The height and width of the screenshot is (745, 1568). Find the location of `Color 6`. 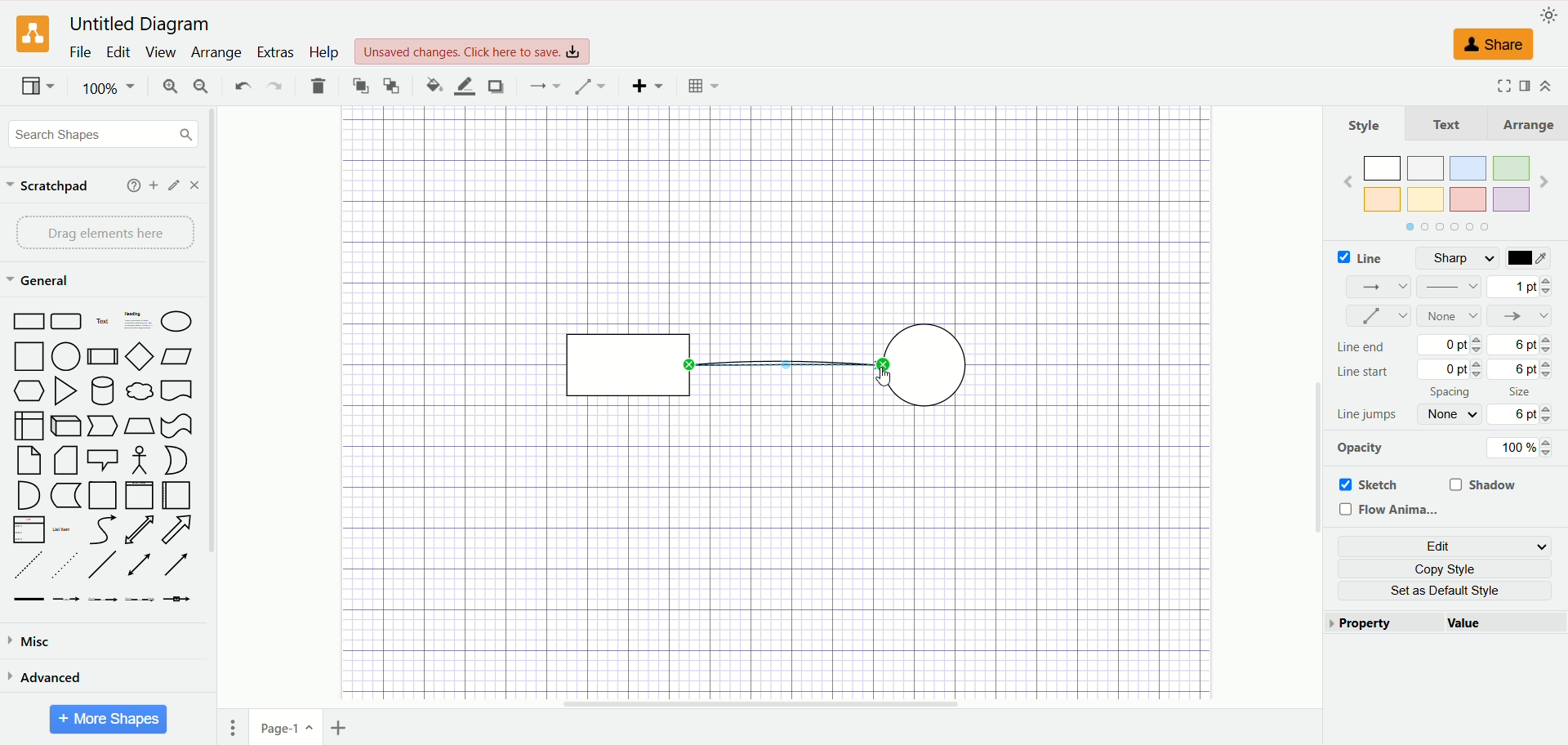

Color 6 is located at coordinates (1427, 200).